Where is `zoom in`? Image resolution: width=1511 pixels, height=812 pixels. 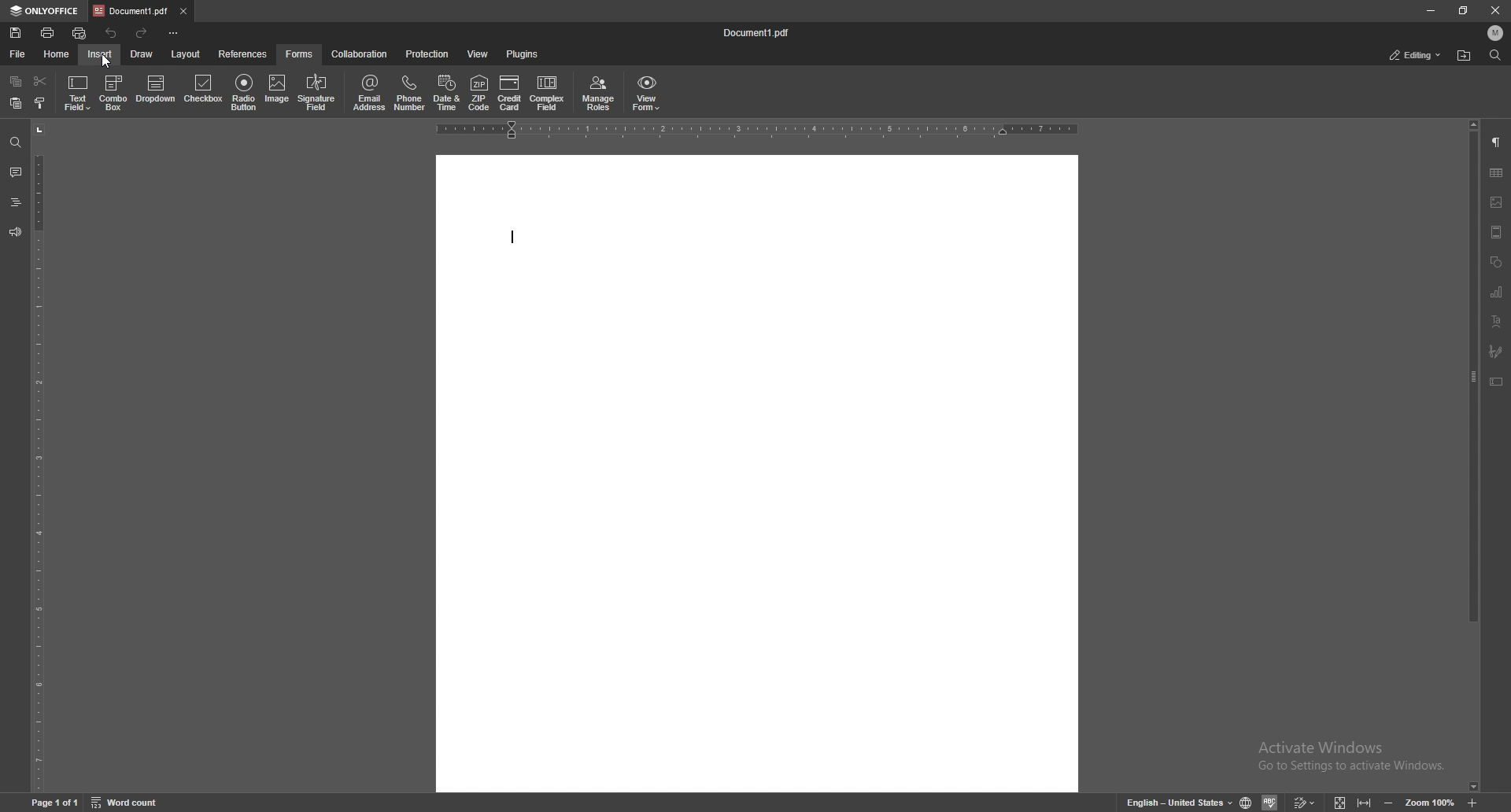 zoom in is located at coordinates (1473, 802).